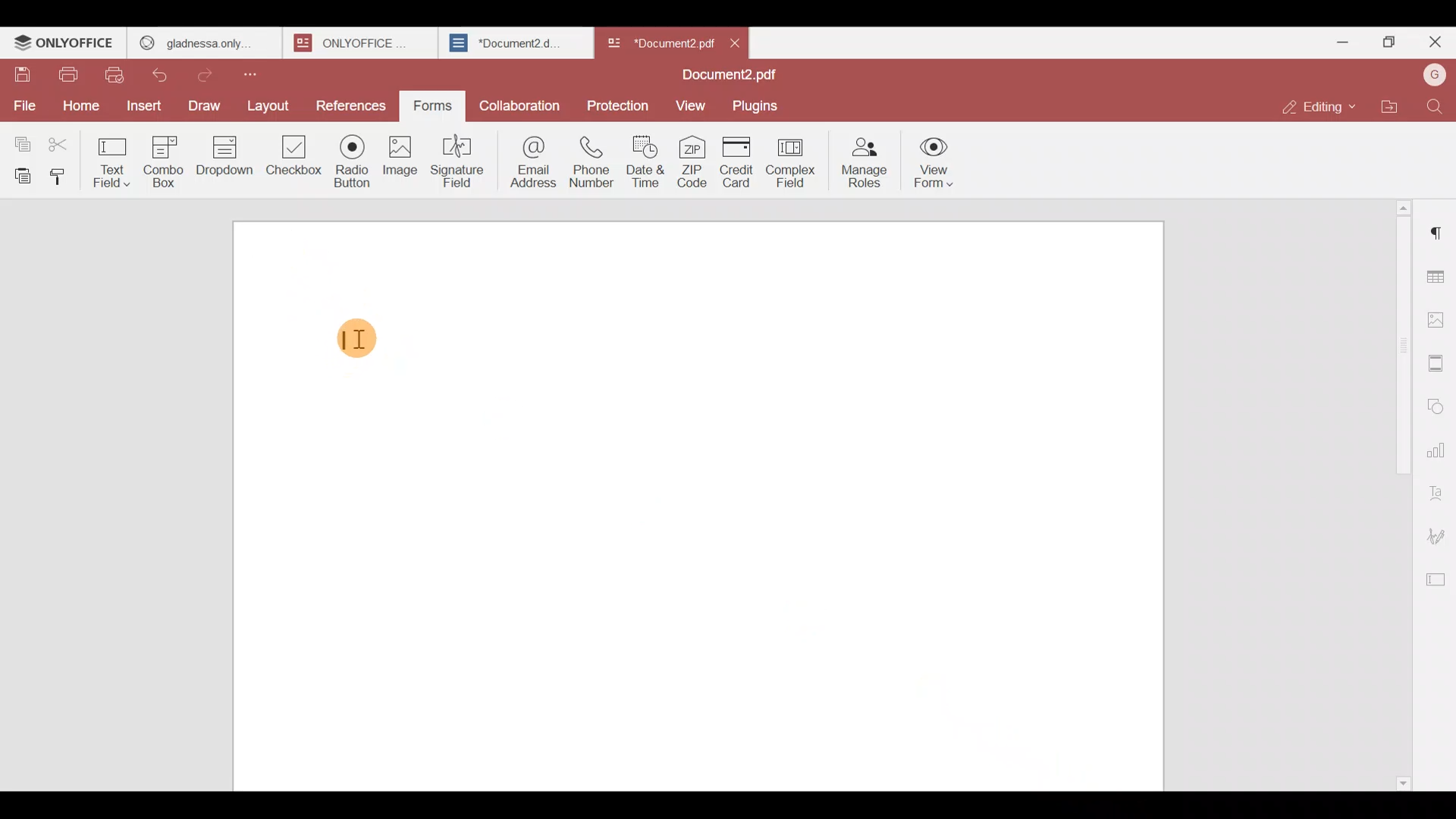 The height and width of the screenshot is (819, 1456). Describe the element at coordinates (1439, 107) in the screenshot. I see `Find` at that location.